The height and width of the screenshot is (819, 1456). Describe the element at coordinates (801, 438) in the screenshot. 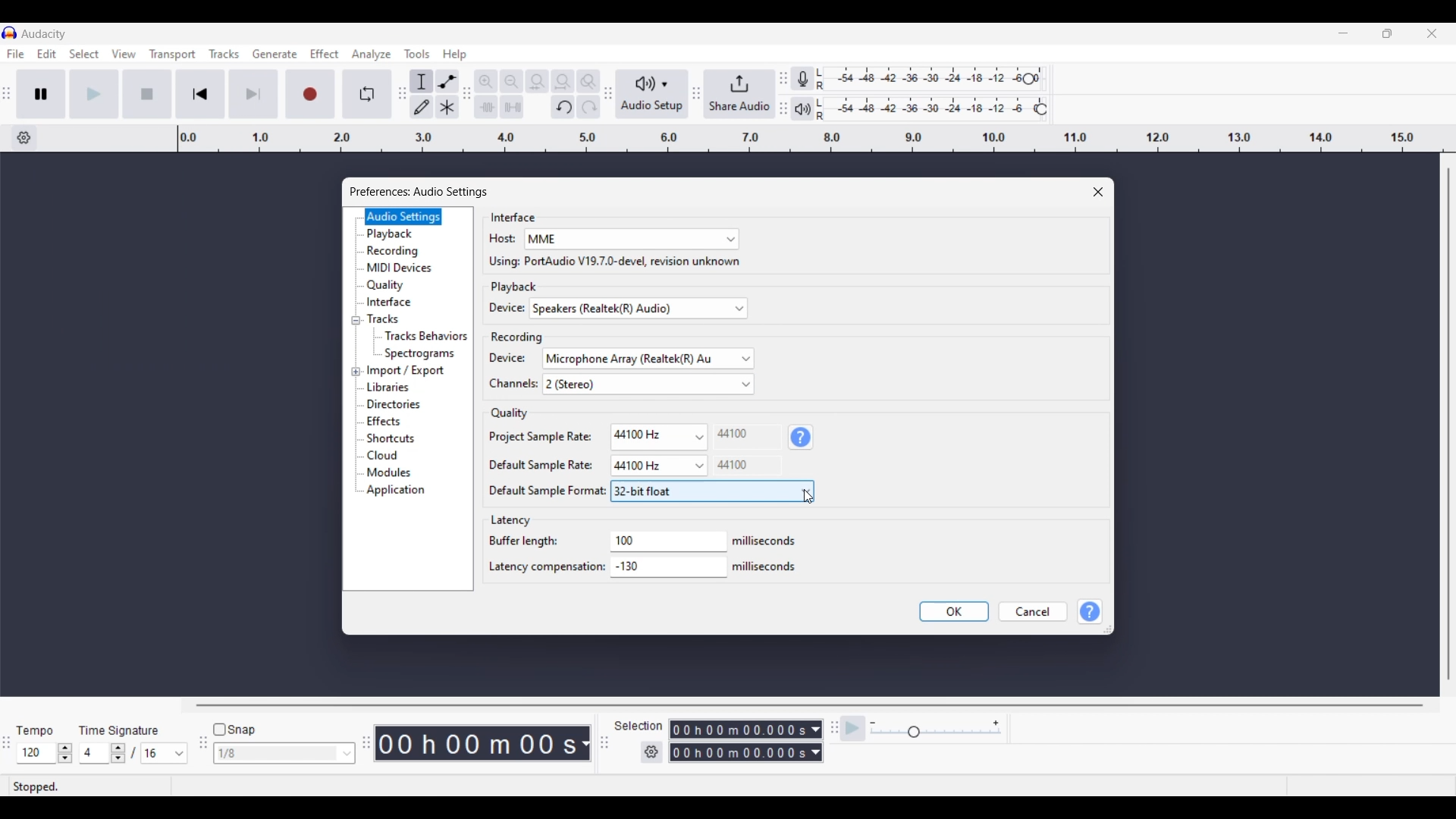

I see `Explanation of Quality section` at that location.